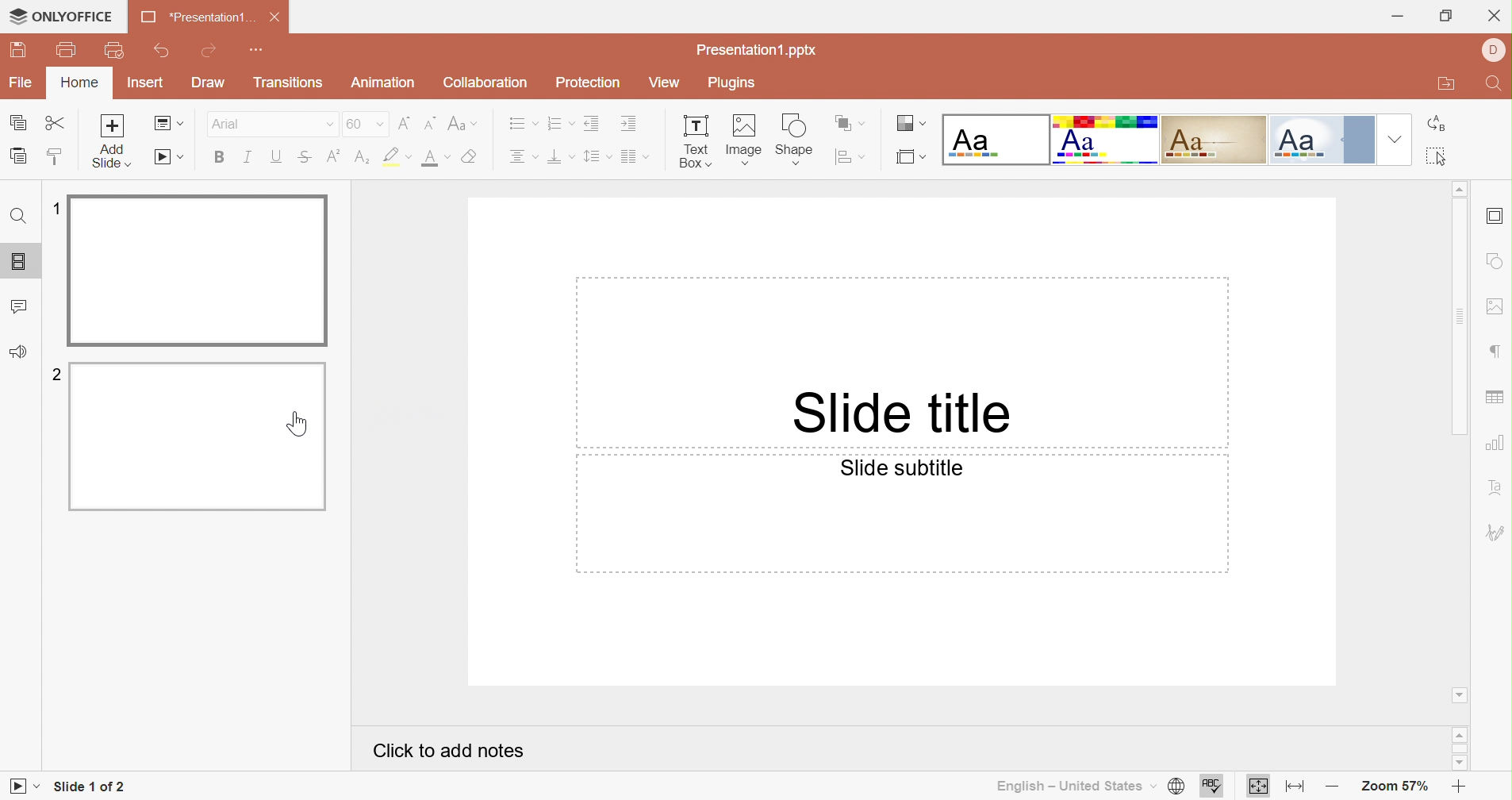 This screenshot has height=800, width=1512. What do you see at coordinates (278, 157) in the screenshot?
I see `Underline` at bounding box center [278, 157].